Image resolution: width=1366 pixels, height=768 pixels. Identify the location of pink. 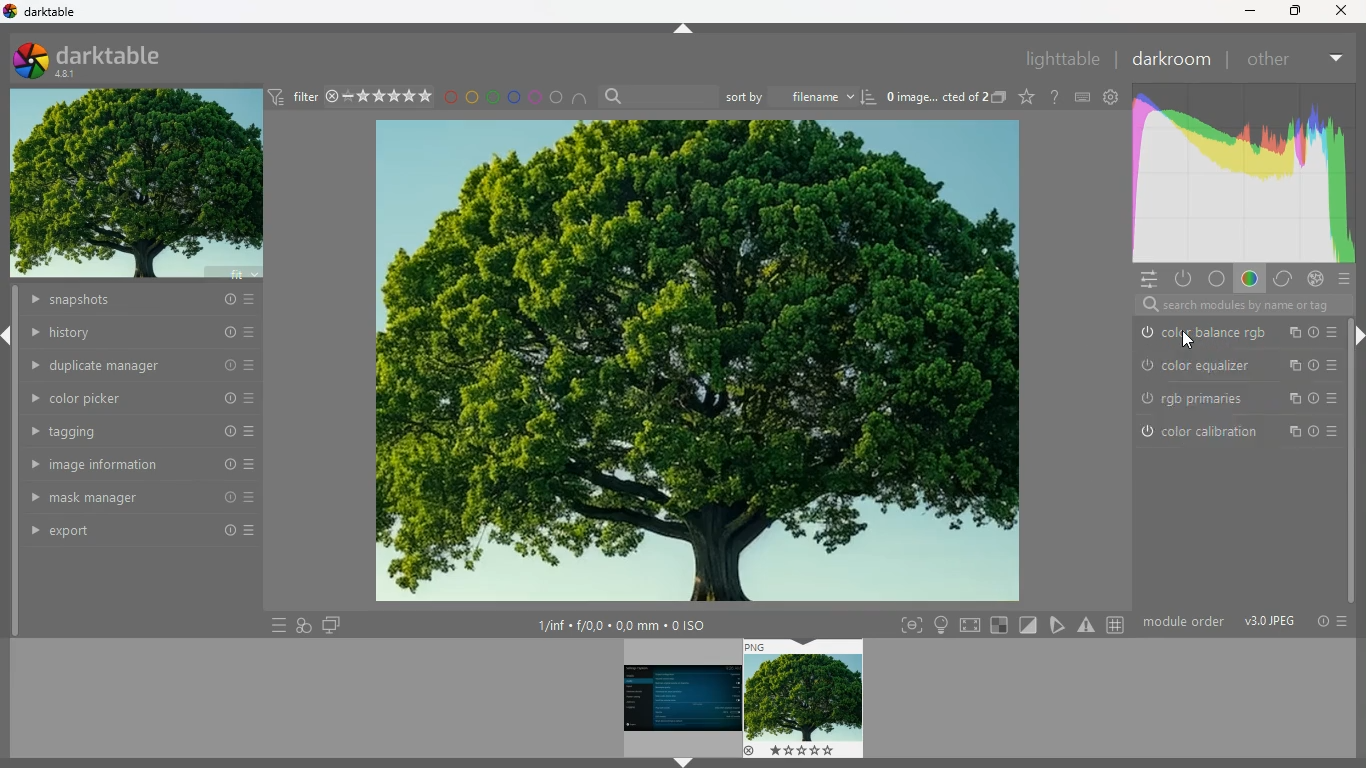
(536, 97).